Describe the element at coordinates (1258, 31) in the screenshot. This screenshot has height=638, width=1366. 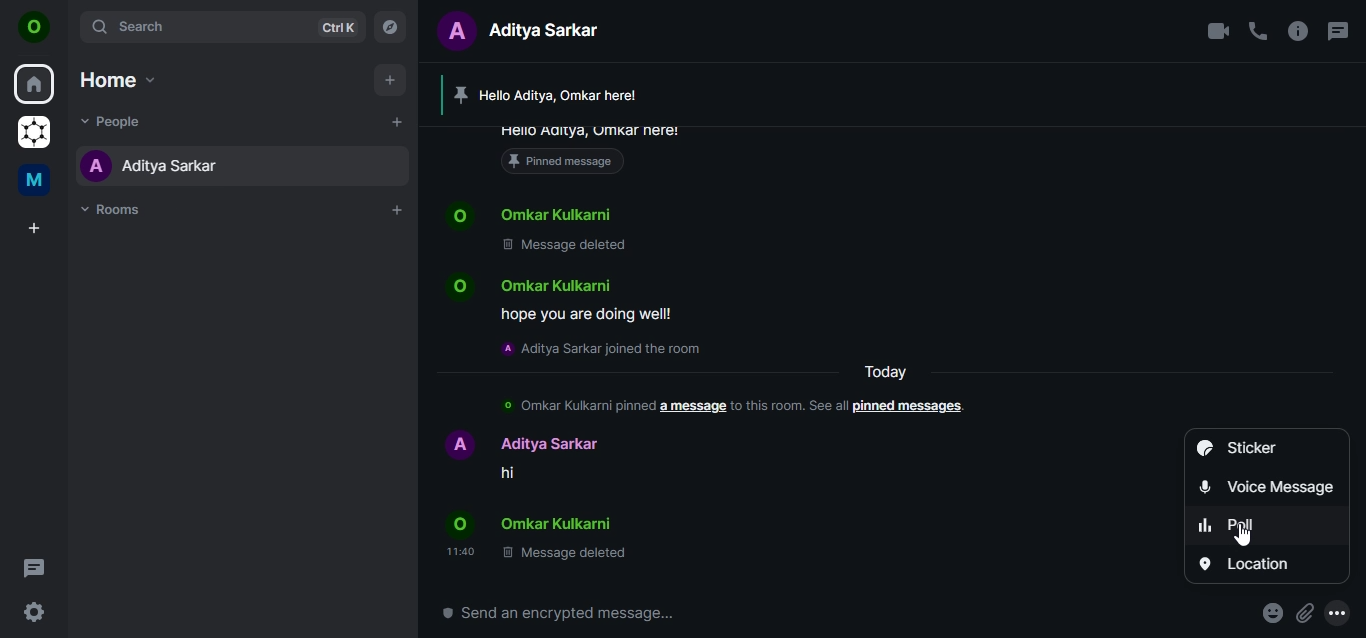
I see `voice call` at that location.